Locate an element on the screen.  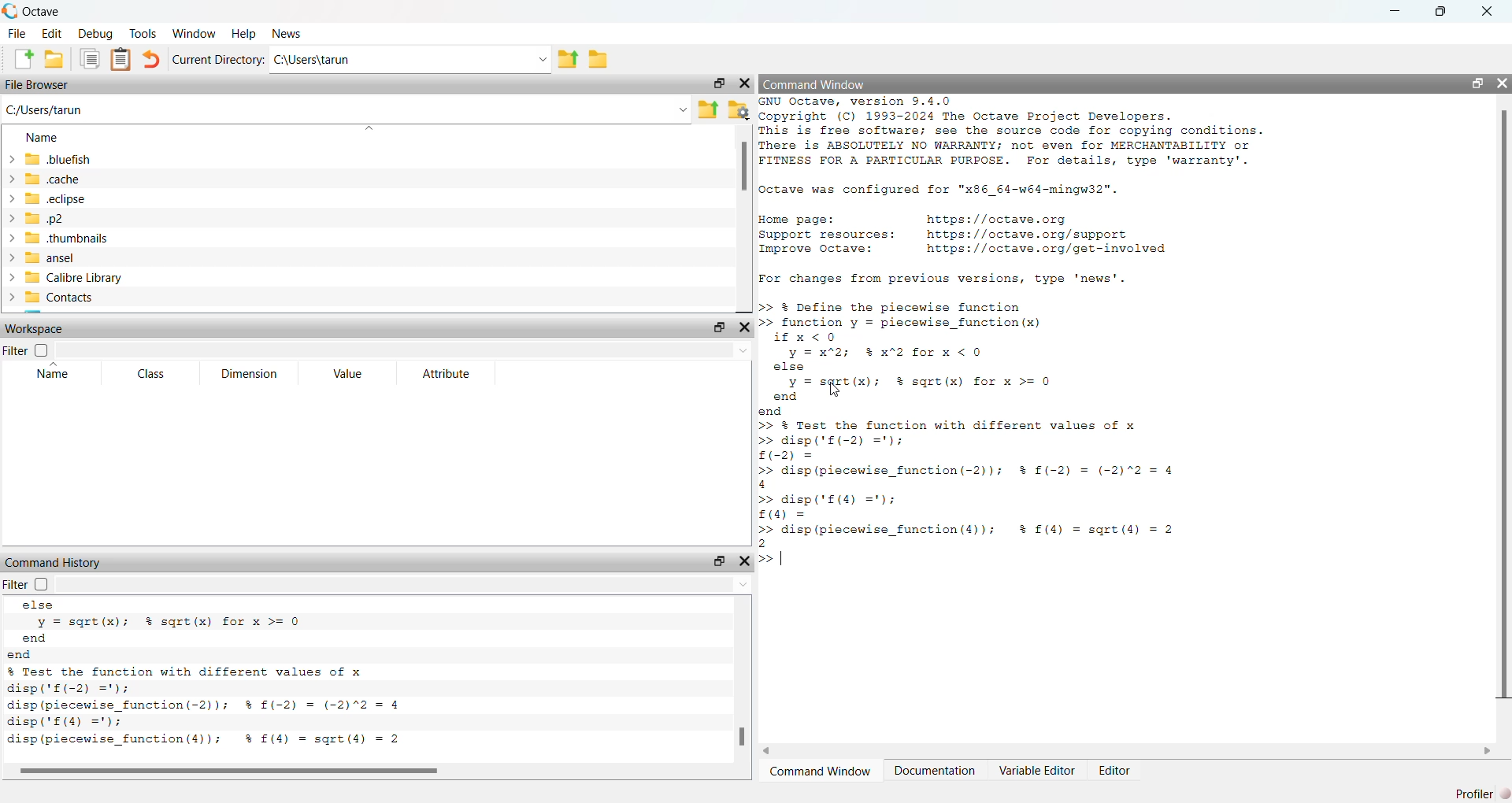
Maximize/Restore is located at coordinates (1471, 83).